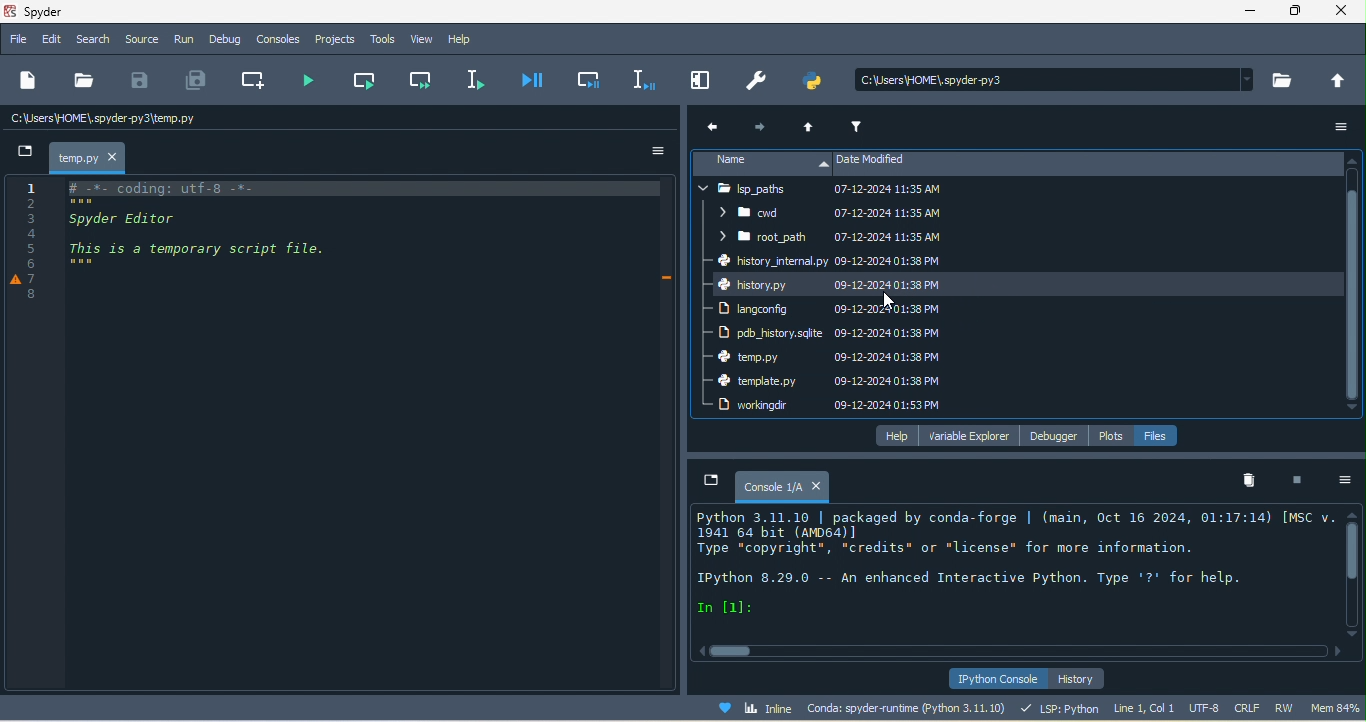 The image size is (1366, 722). Describe the element at coordinates (908, 282) in the screenshot. I see `date modified` at that location.